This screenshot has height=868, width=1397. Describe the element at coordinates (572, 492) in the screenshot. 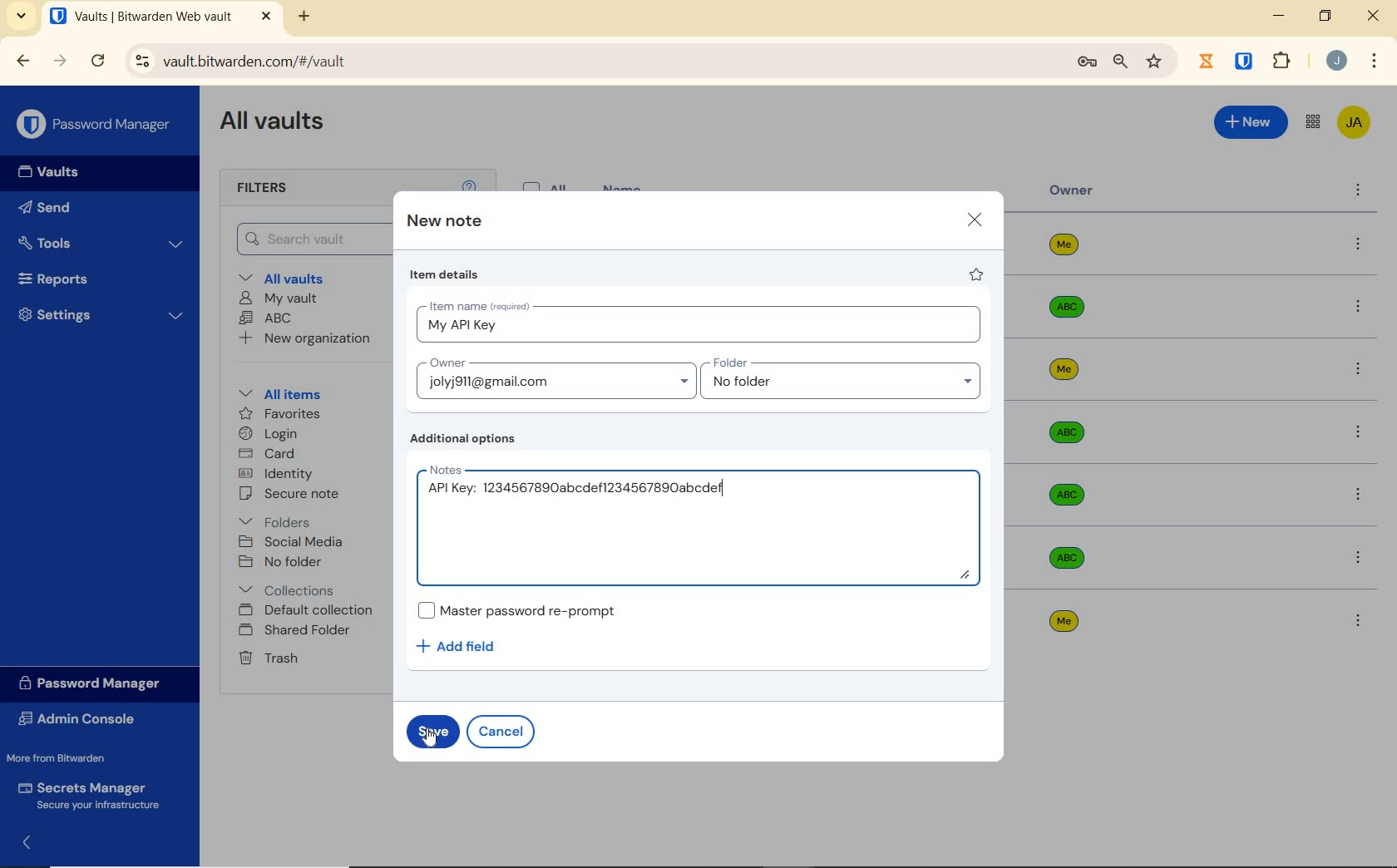

I see `API Key pasted` at that location.